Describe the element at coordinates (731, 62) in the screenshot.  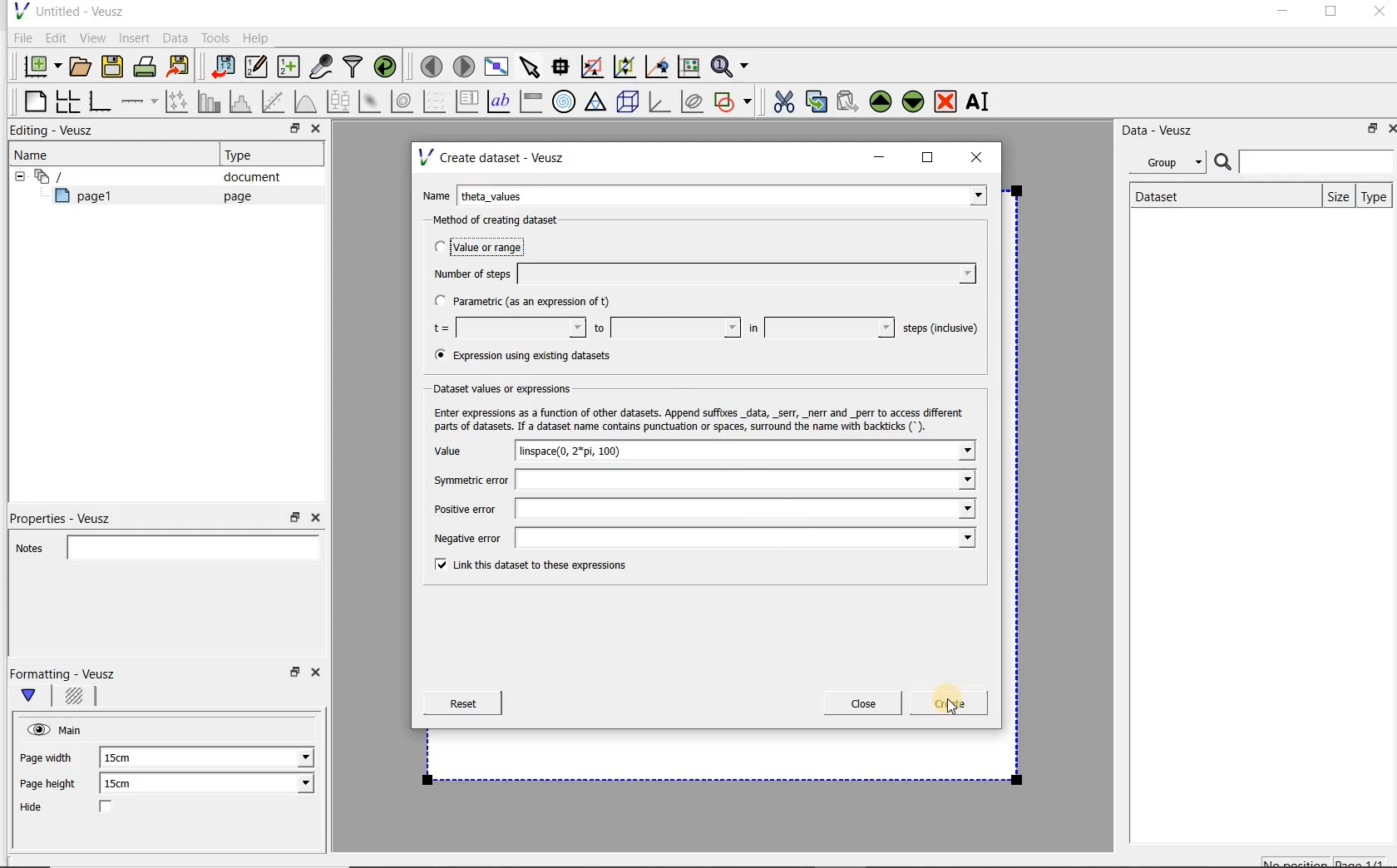
I see `Zoom functions menu` at that location.